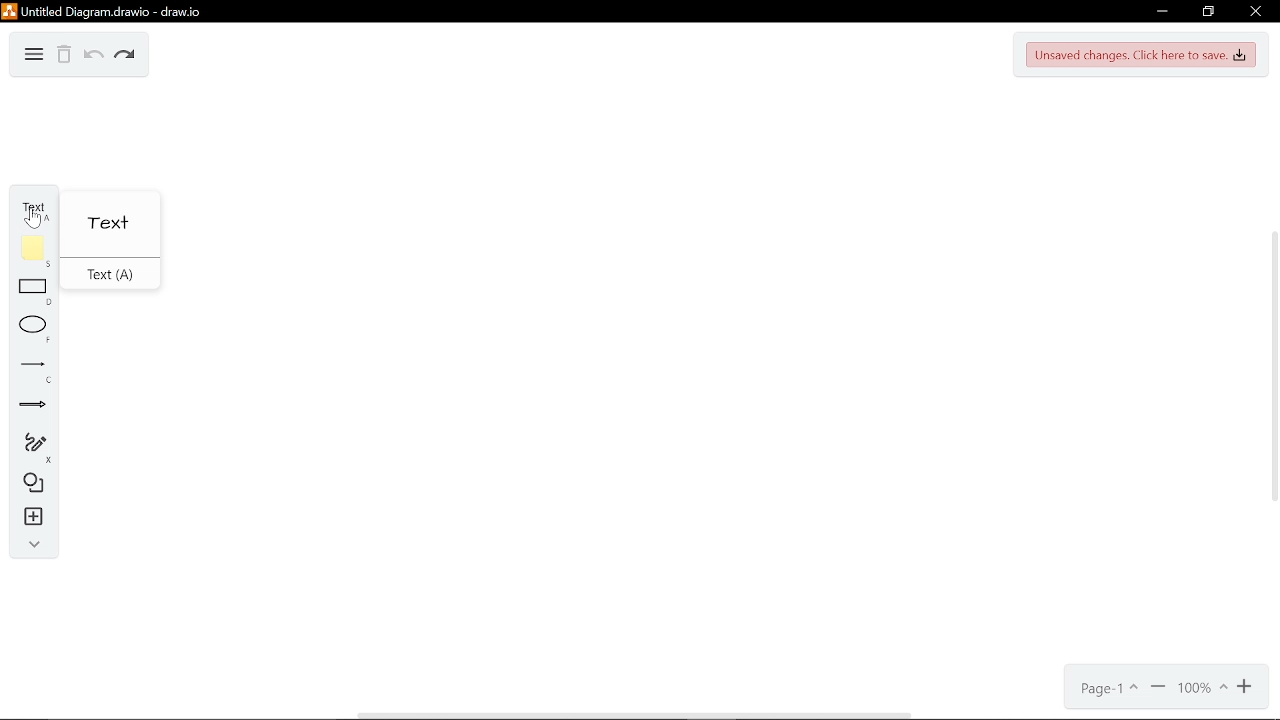 The image size is (1280, 720). Describe the element at coordinates (1208, 13) in the screenshot. I see `Restore down` at that location.